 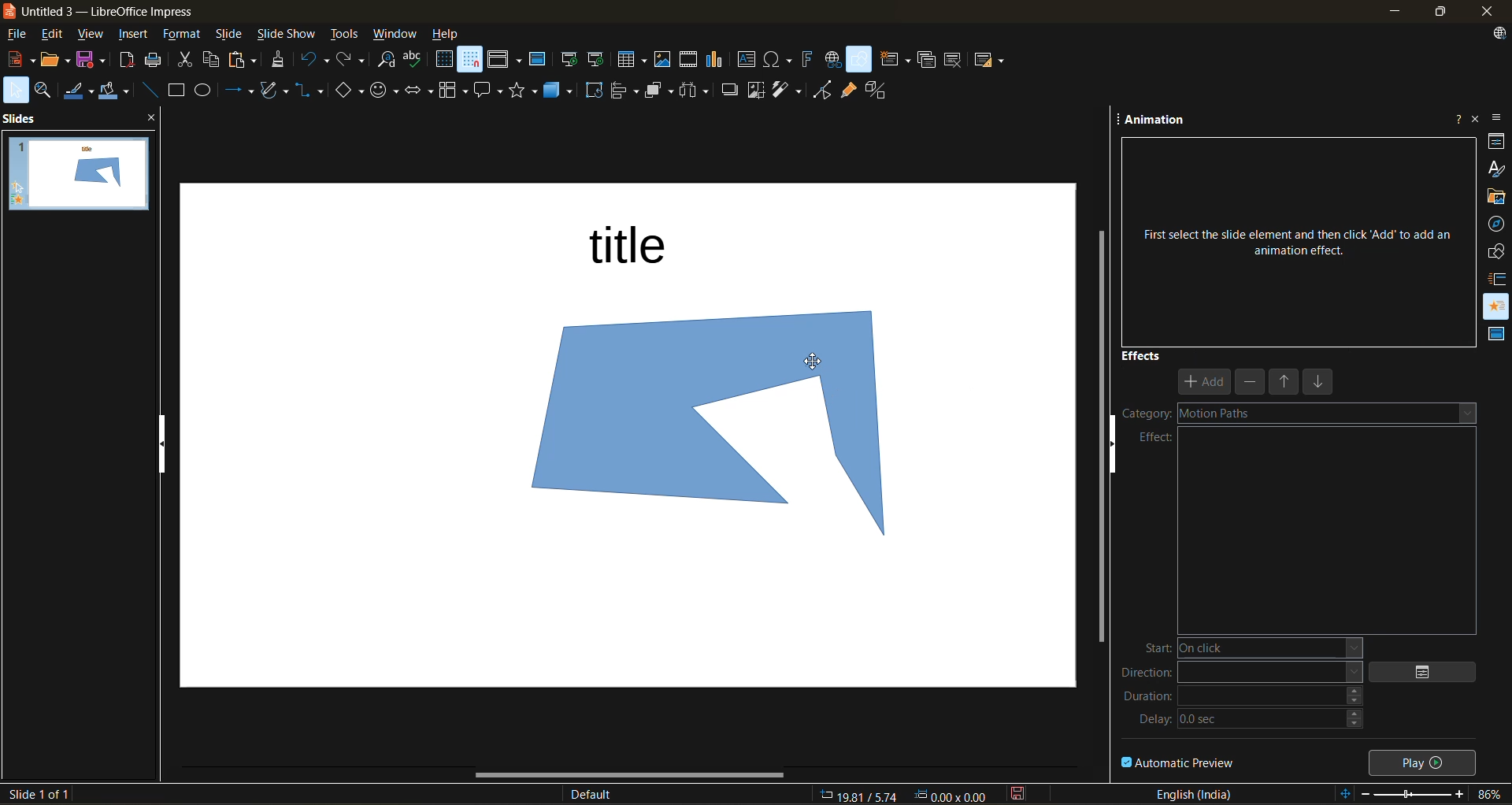 I want to click on redo, so click(x=352, y=60).